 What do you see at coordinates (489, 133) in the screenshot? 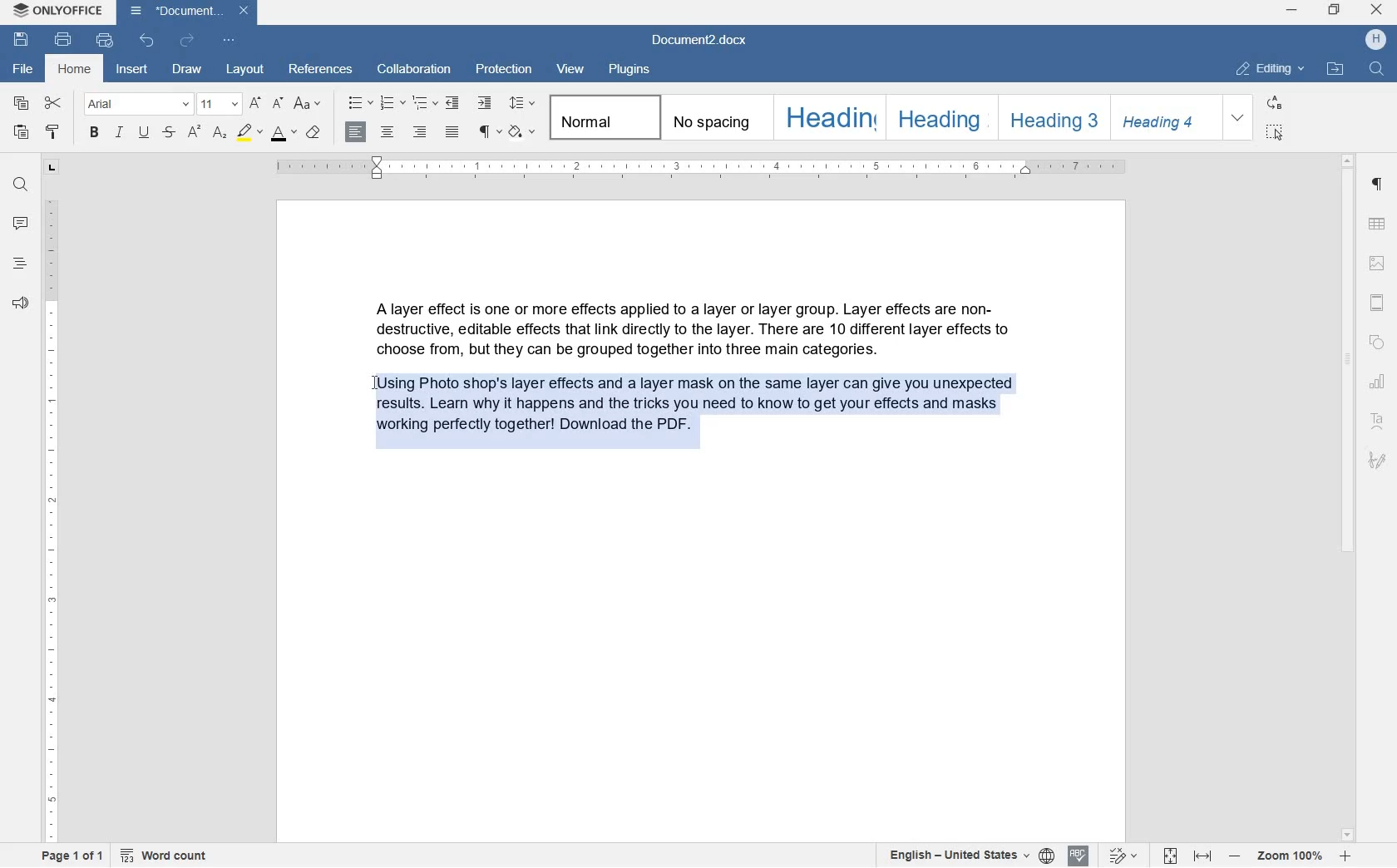
I see `PARAGRAPH SETTINGS` at bounding box center [489, 133].